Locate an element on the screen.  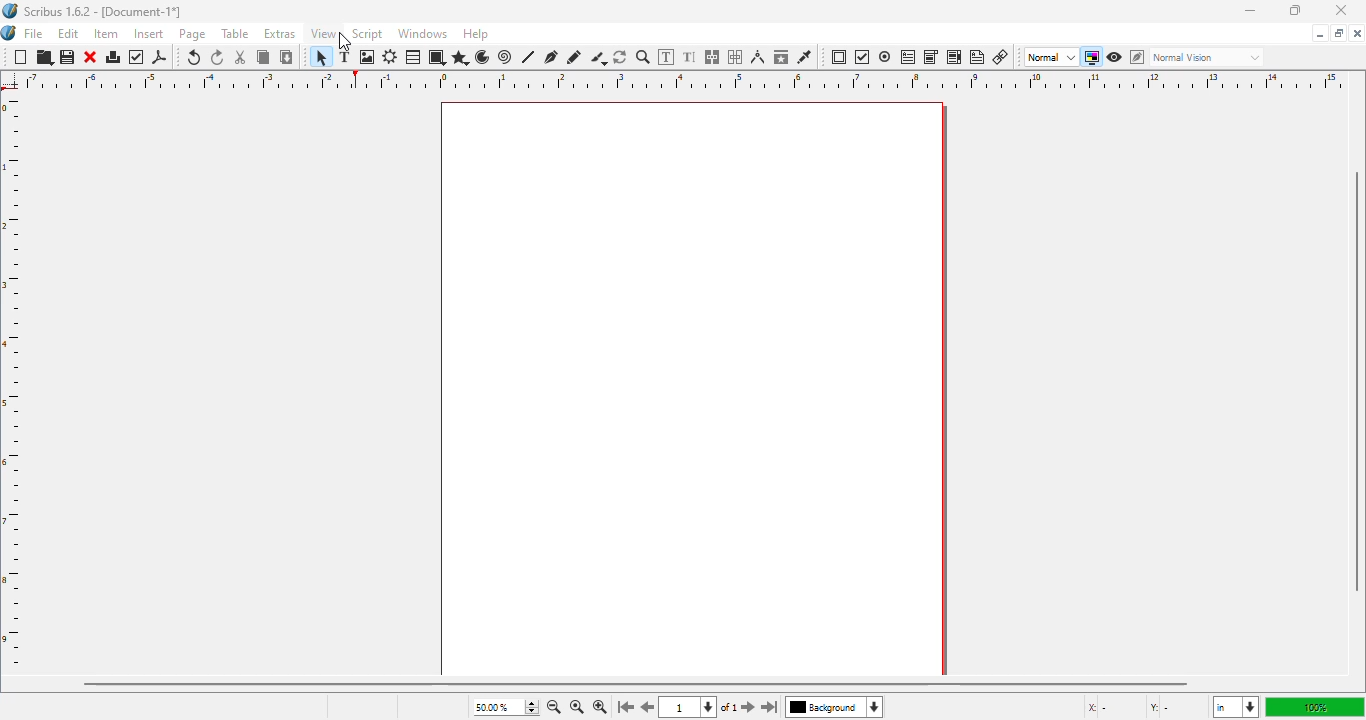
in is located at coordinates (1234, 708).